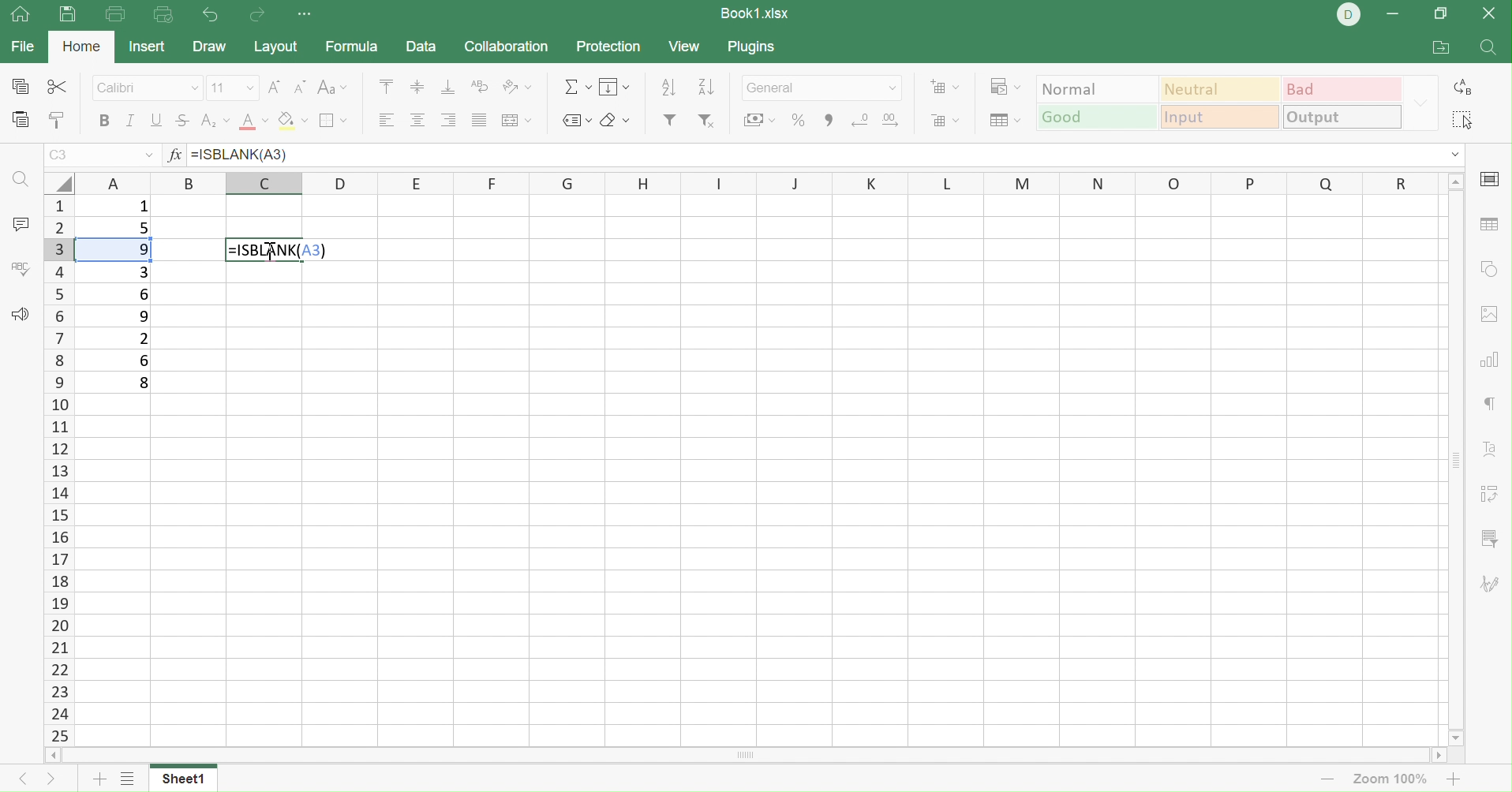 This screenshot has width=1512, height=792. I want to click on Print file, so click(118, 15).